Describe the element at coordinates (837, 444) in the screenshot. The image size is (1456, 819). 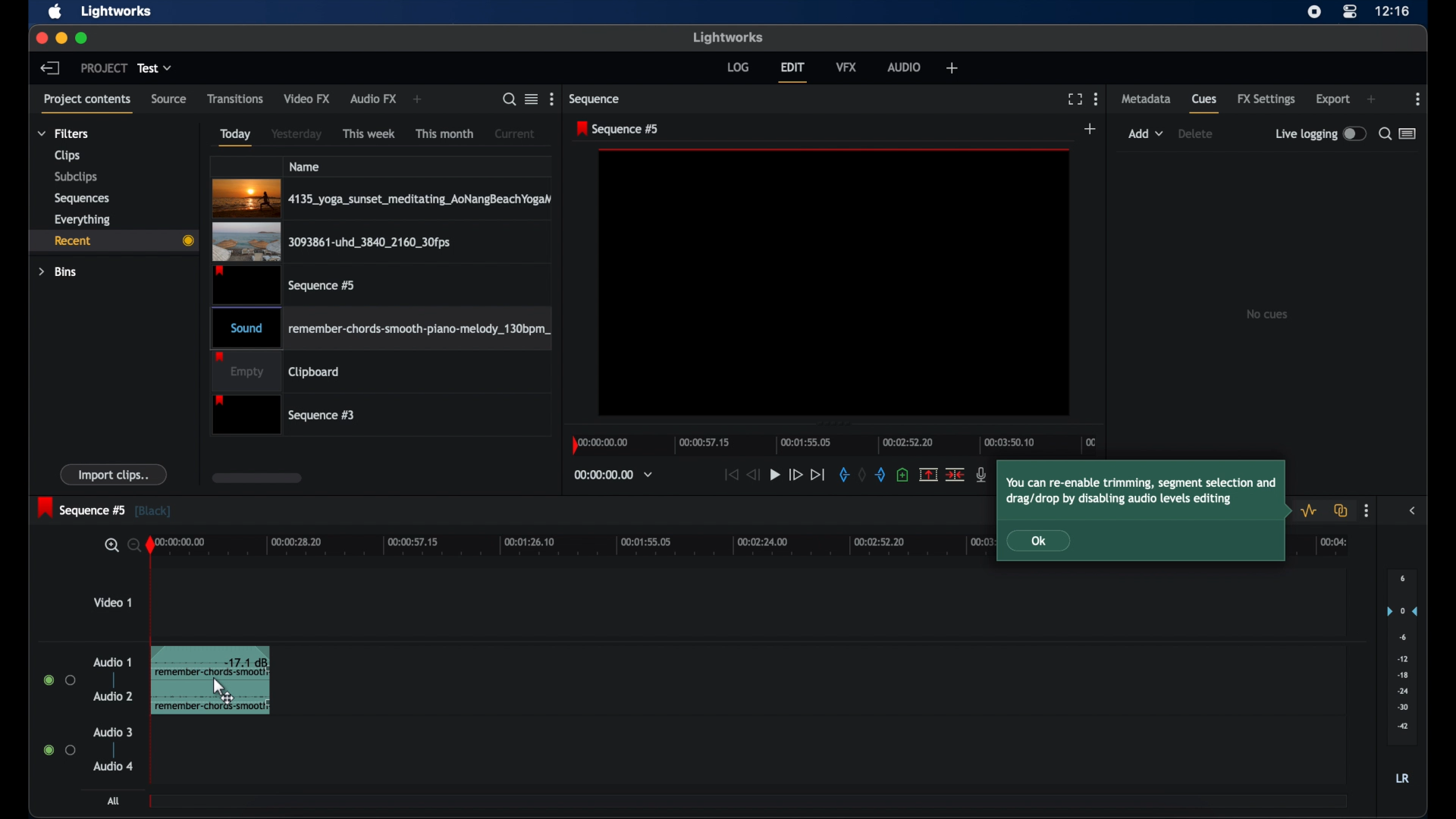
I see `timeline` at that location.